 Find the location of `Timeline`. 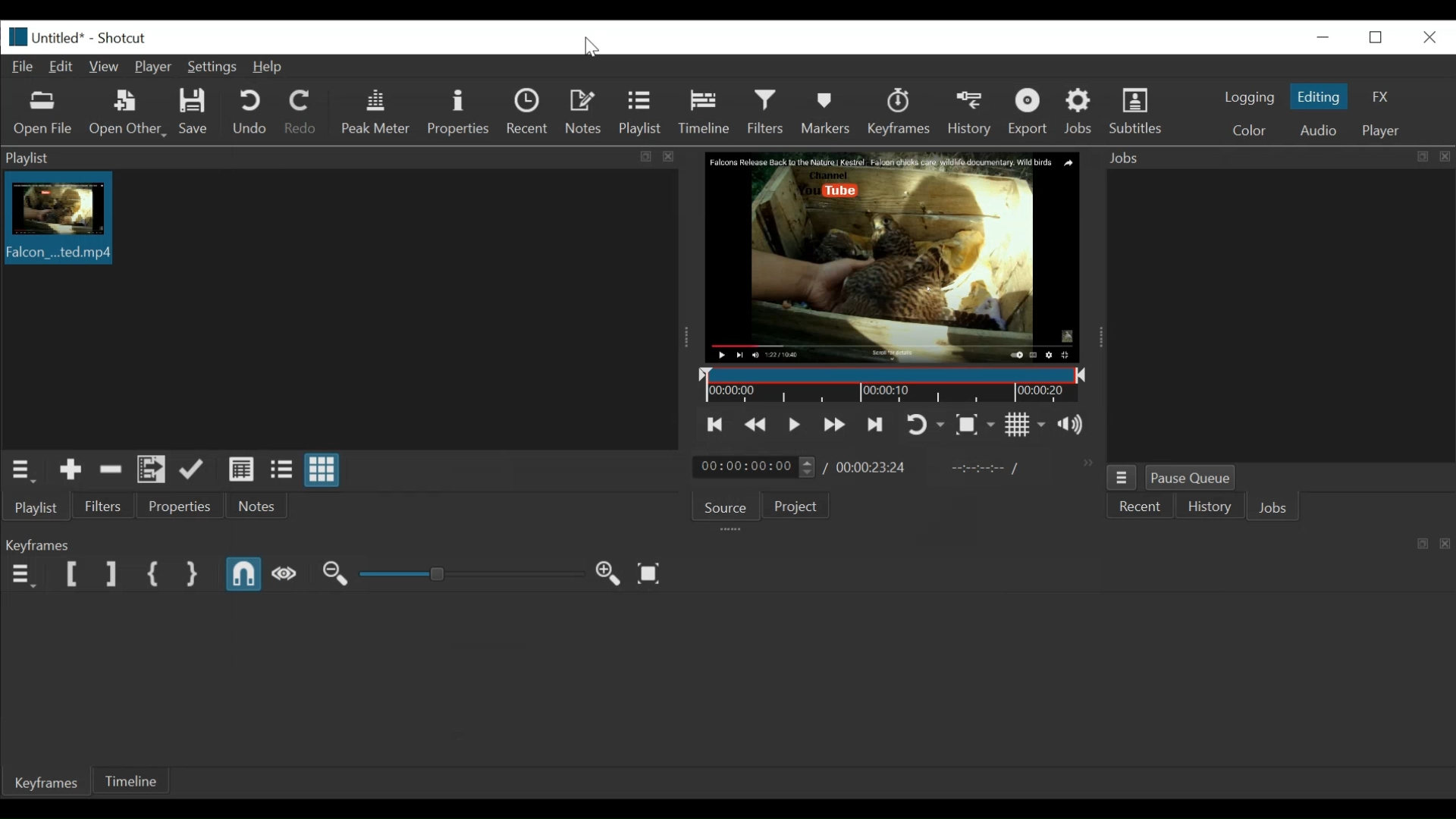

Timeline is located at coordinates (129, 783).